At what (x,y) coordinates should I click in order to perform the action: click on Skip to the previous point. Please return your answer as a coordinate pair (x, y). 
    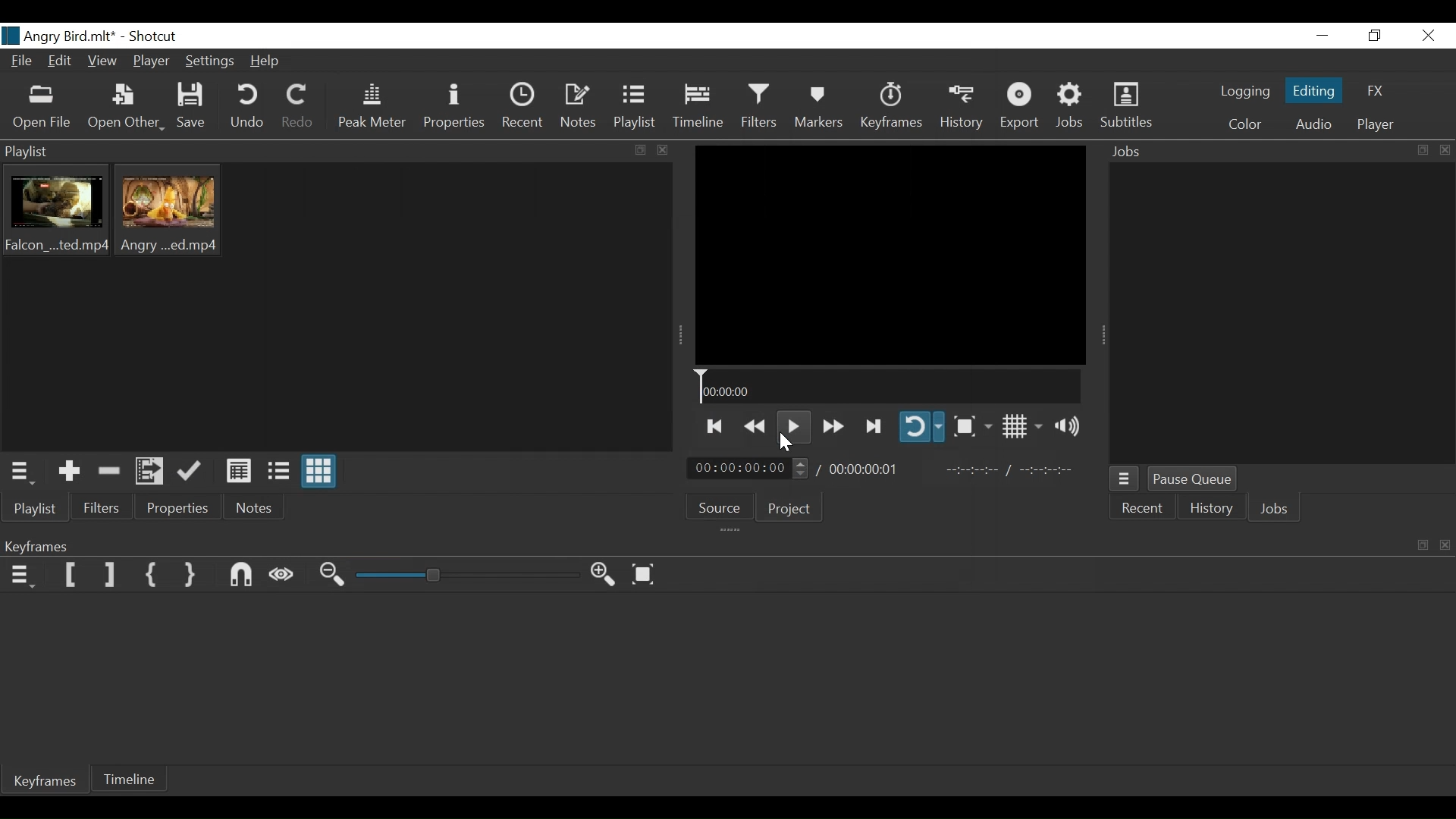
    Looking at the image, I should click on (876, 425).